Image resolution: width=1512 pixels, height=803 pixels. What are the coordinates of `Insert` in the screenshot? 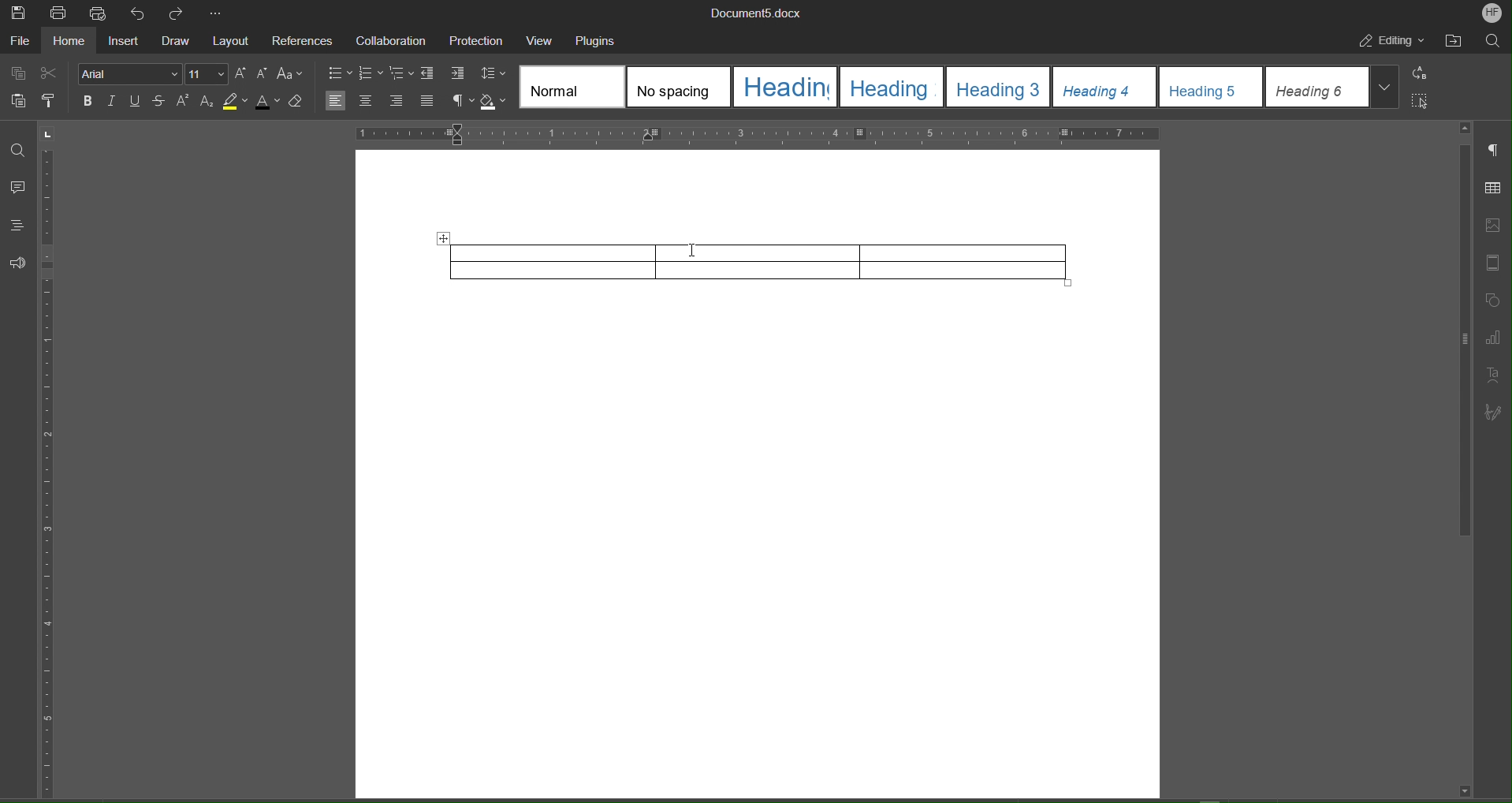 It's located at (127, 43).